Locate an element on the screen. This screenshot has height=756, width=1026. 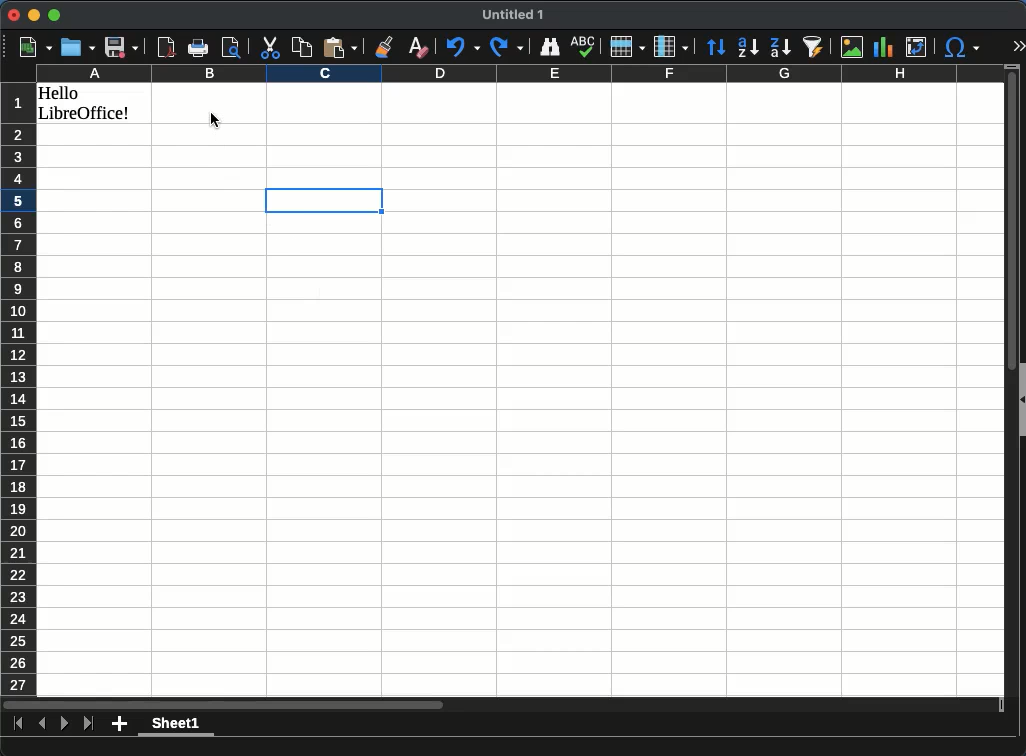
chart is located at coordinates (883, 47).